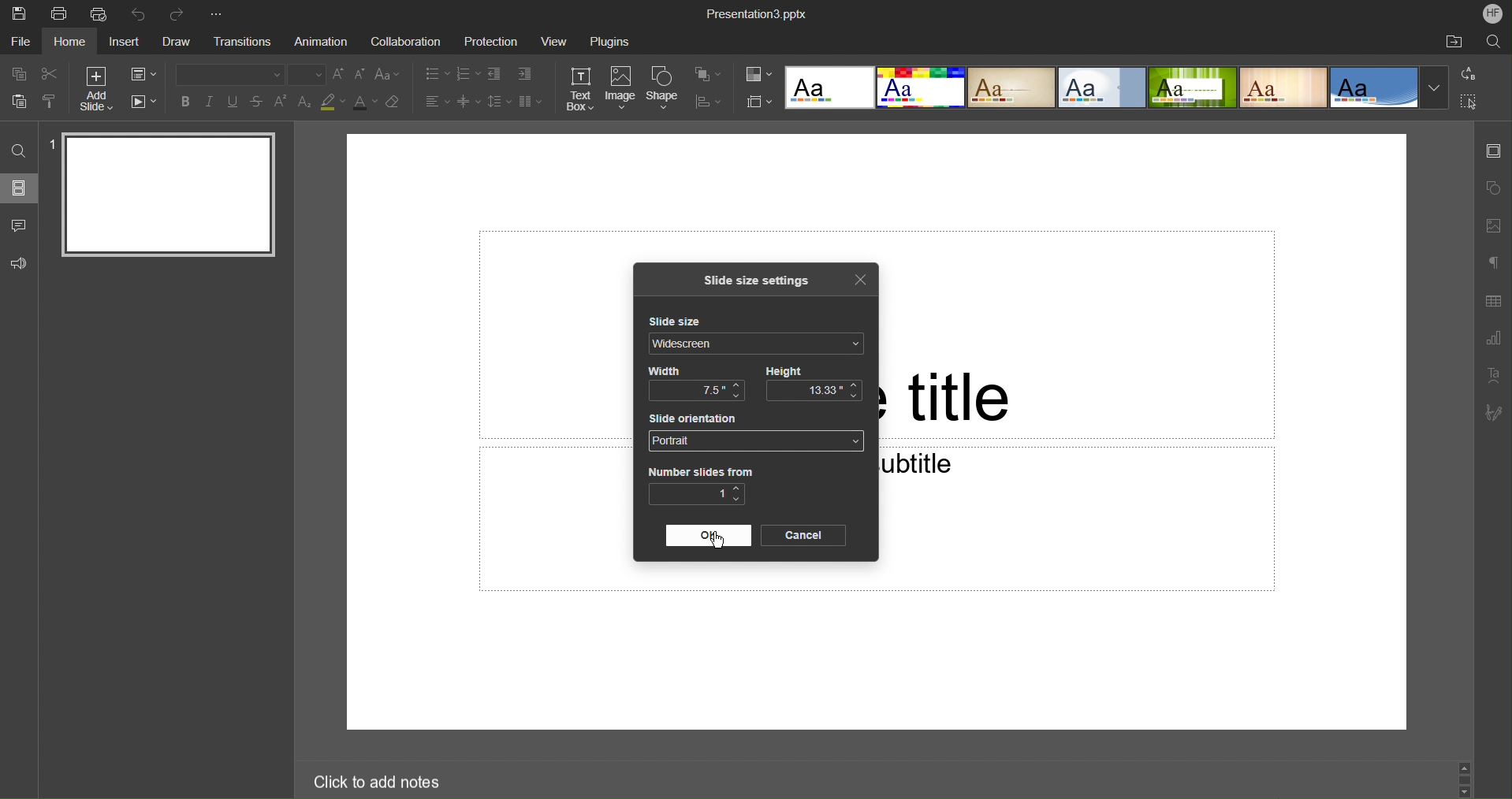  Describe the element at coordinates (94, 88) in the screenshot. I see `Add Slide` at that location.